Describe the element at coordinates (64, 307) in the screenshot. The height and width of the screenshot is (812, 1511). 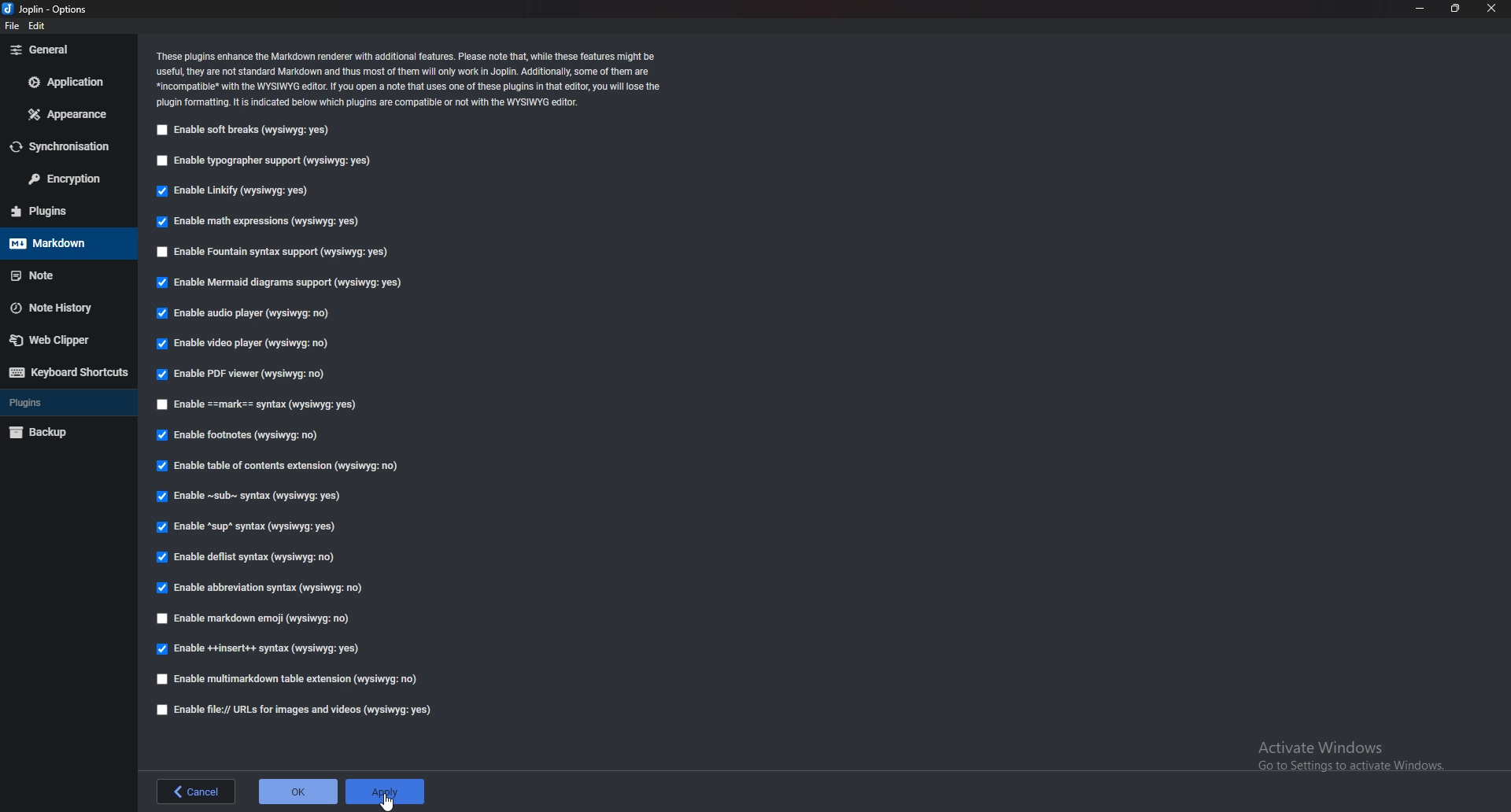
I see `note history` at that location.